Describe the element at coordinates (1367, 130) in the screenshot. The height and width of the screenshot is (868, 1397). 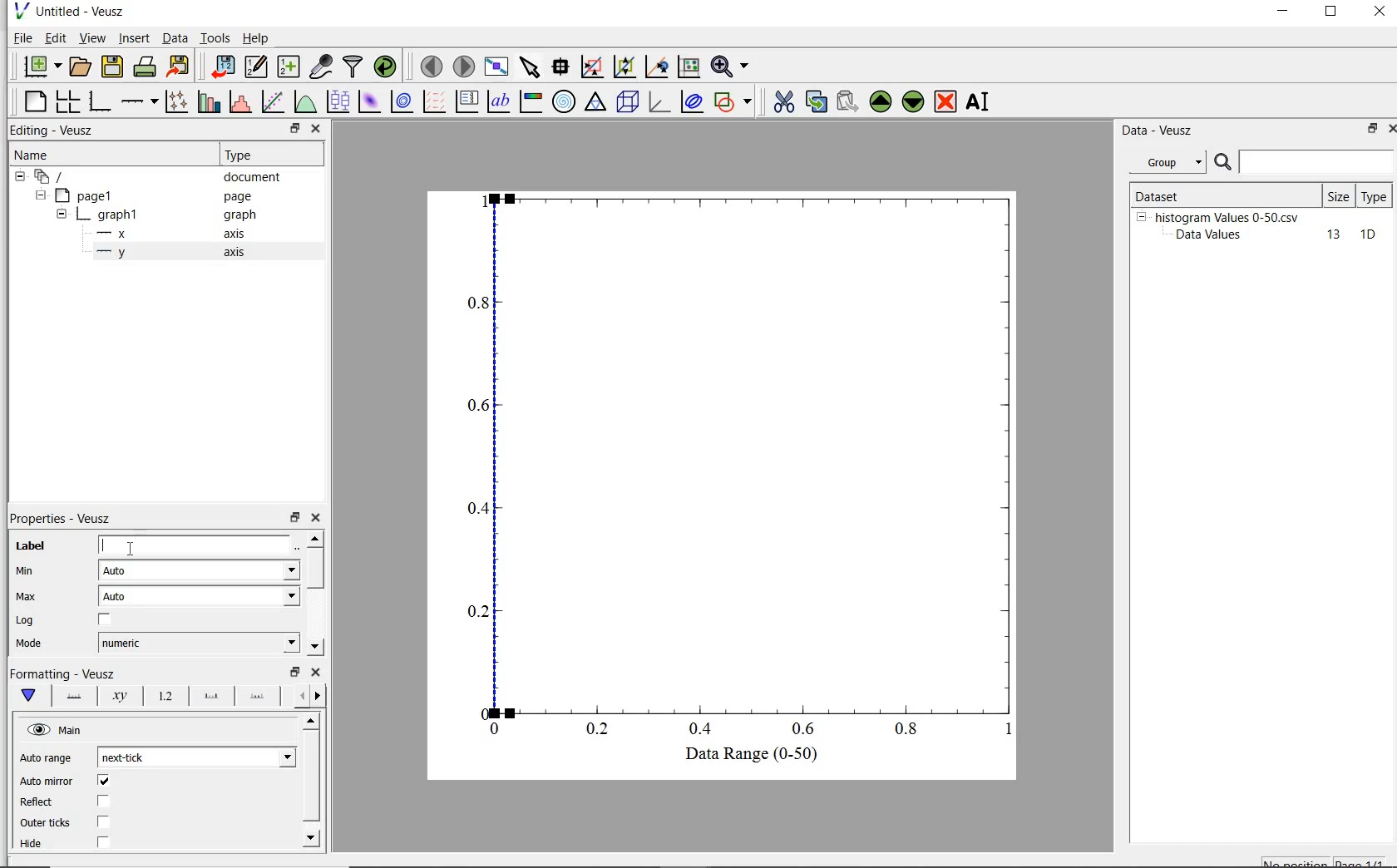
I see `restore down` at that location.